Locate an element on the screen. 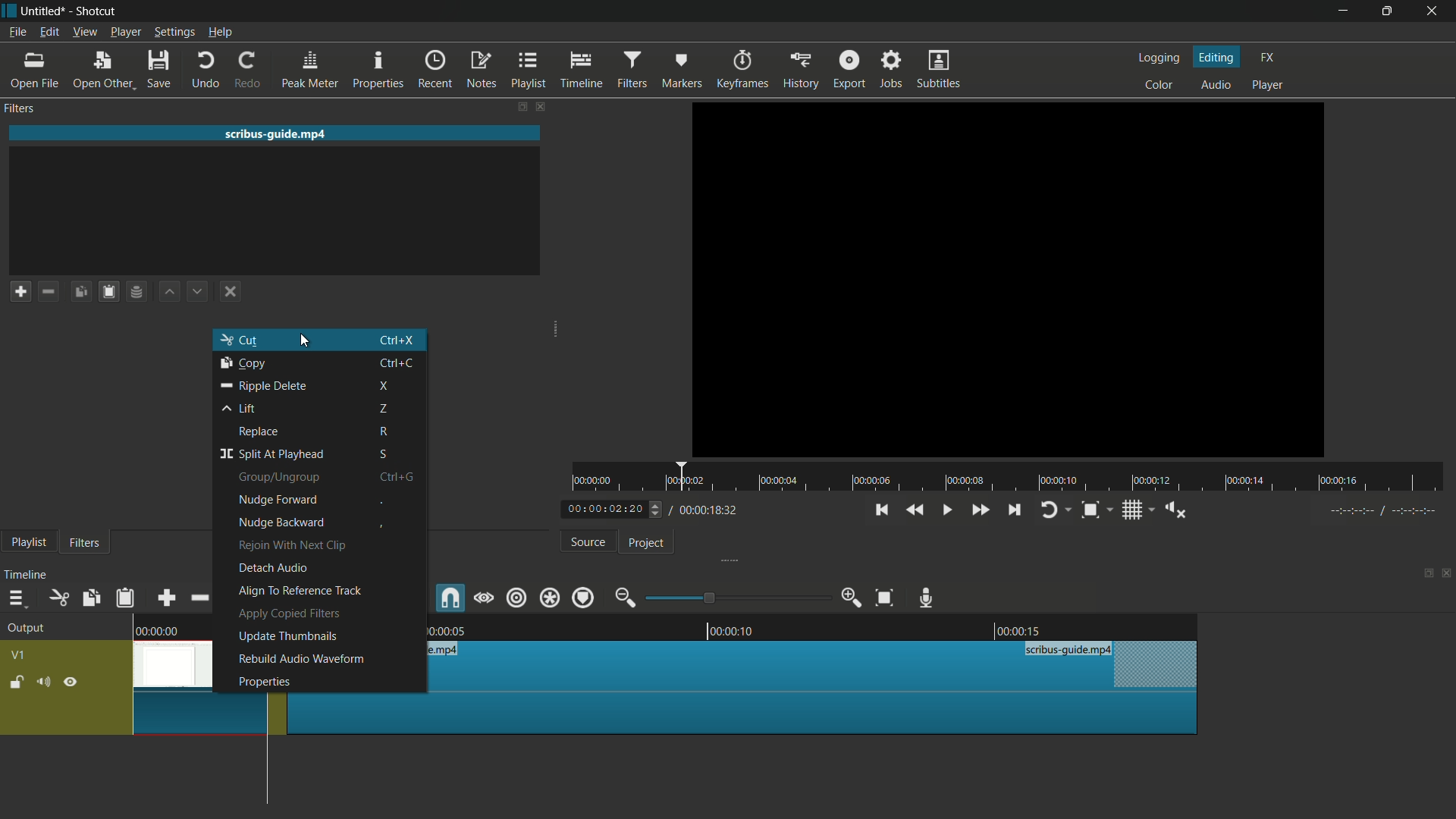 The height and width of the screenshot is (819, 1456). player is located at coordinates (1267, 84).